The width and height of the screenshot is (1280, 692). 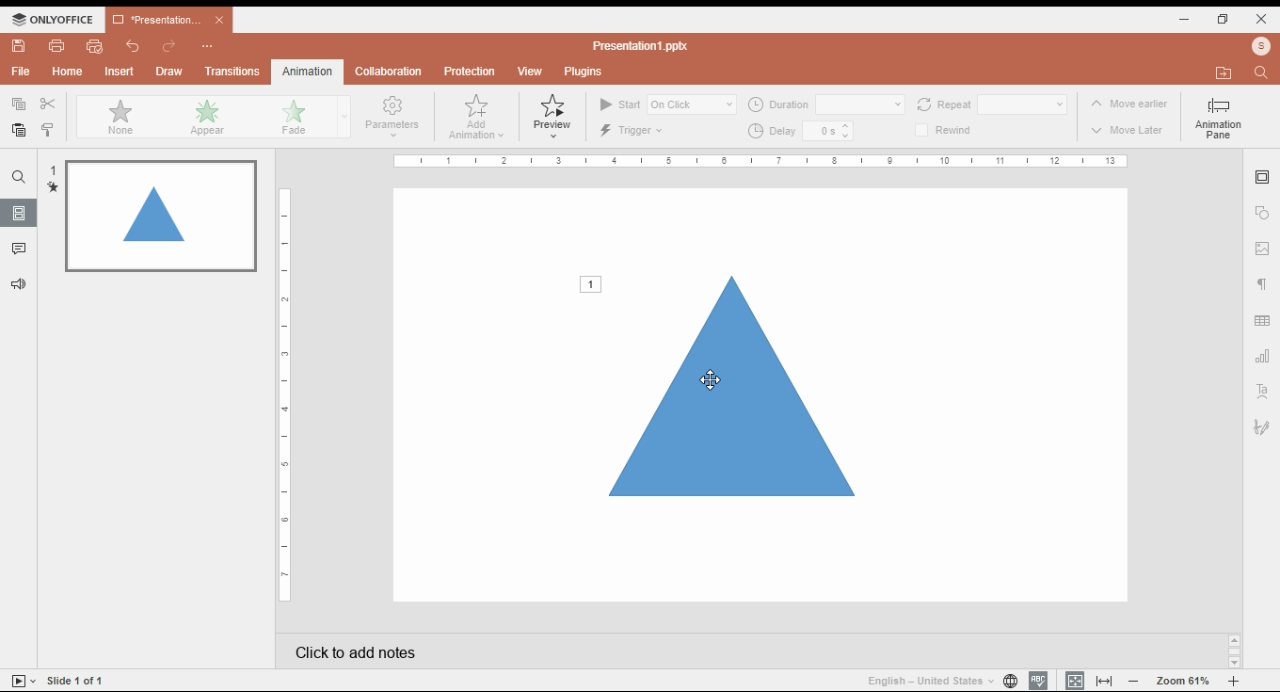 I want to click on animation duration, so click(x=826, y=105).